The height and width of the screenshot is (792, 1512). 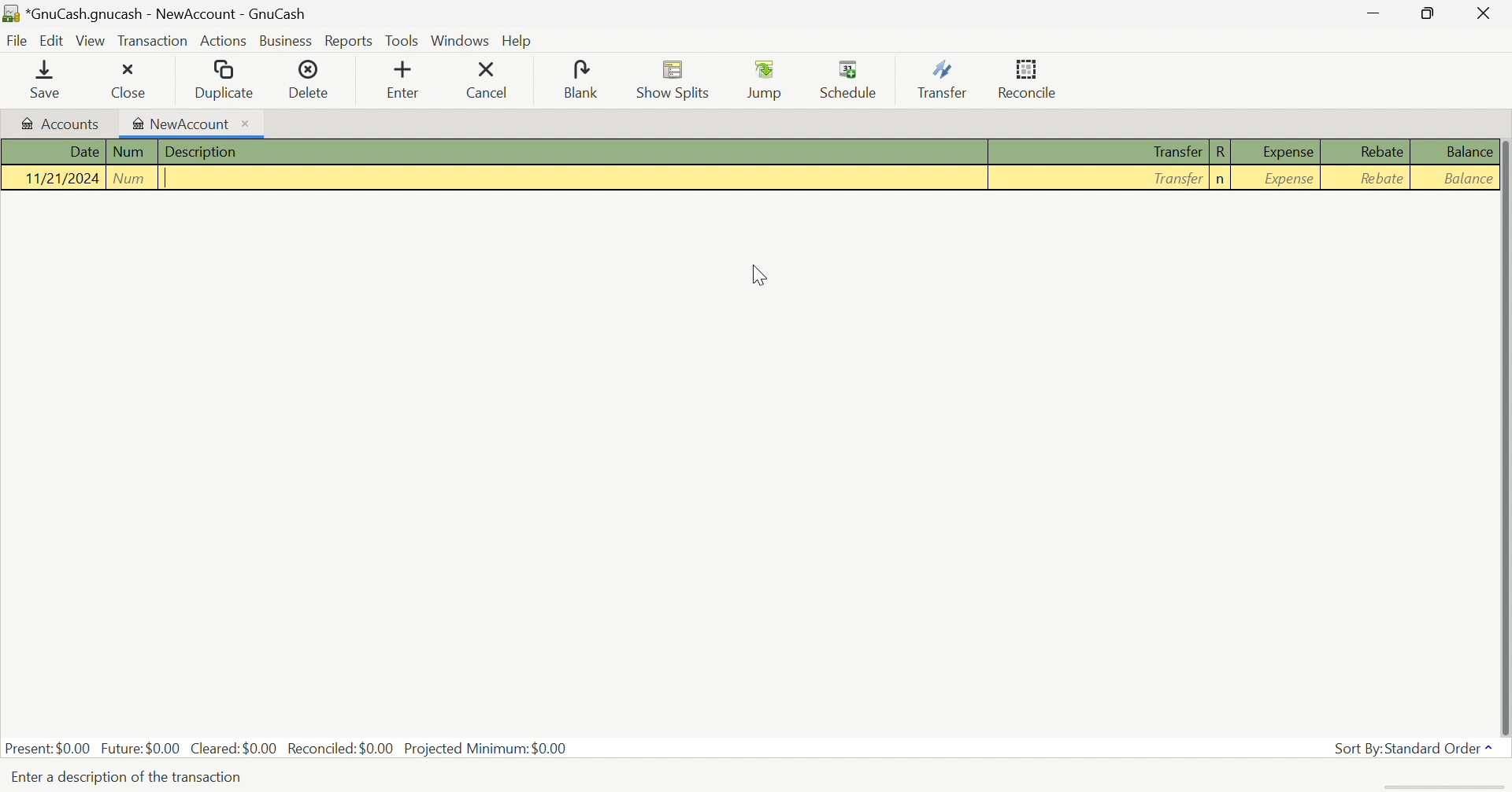 What do you see at coordinates (498, 80) in the screenshot?
I see `Cancel` at bounding box center [498, 80].